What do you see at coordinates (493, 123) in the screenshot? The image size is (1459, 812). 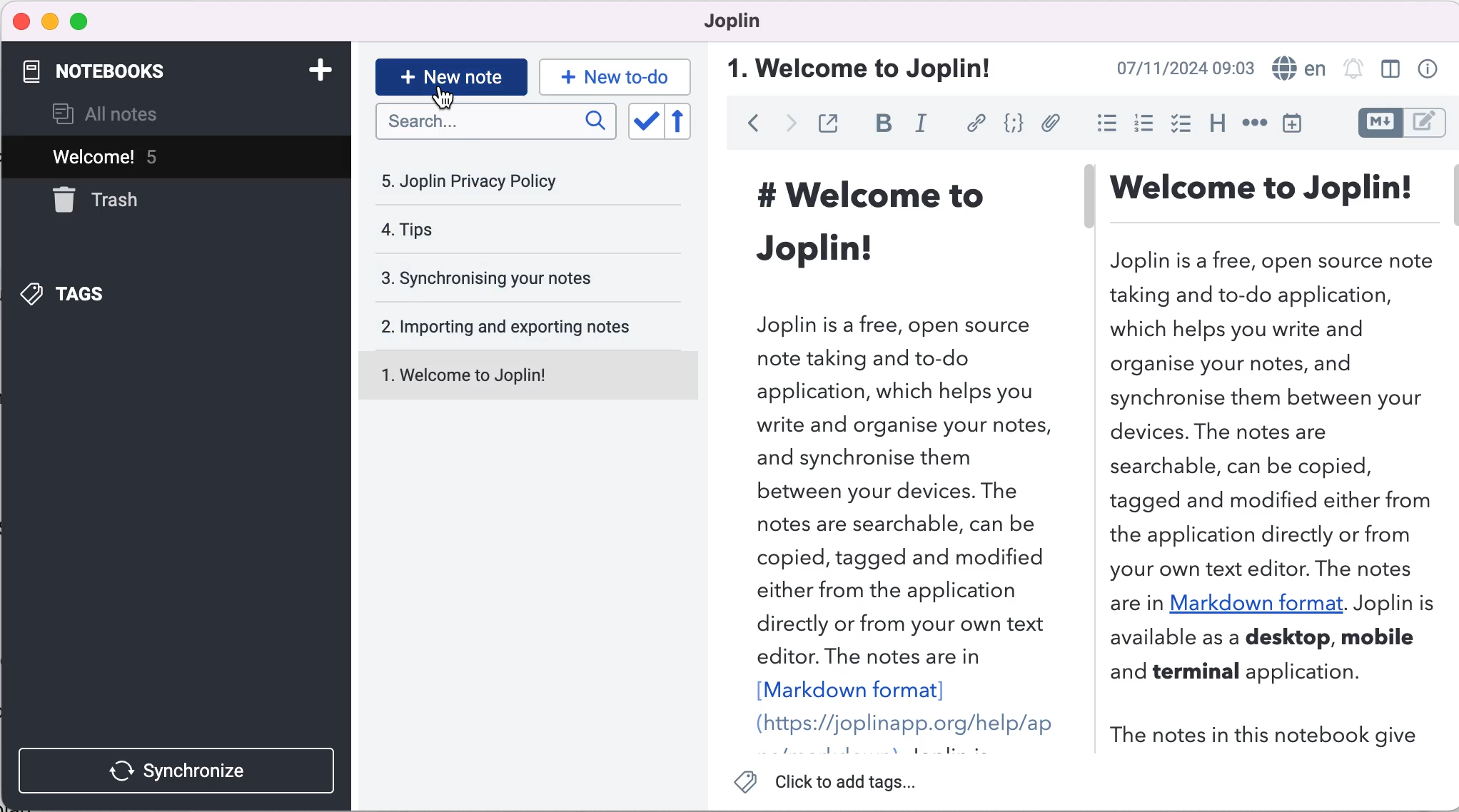 I see `search` at bounding box center [493, 123].